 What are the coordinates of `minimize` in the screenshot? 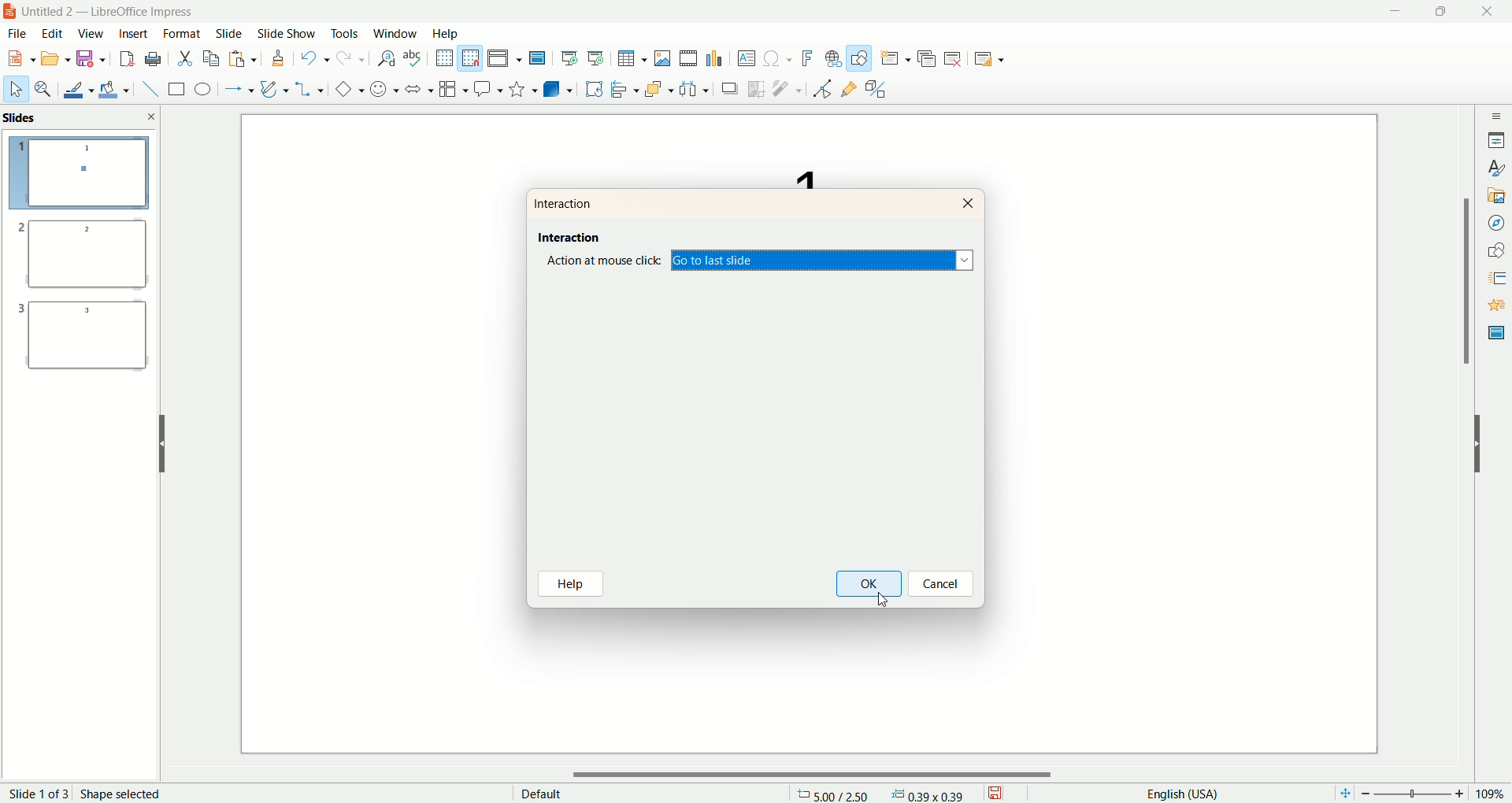 It's located at (1395, 12).